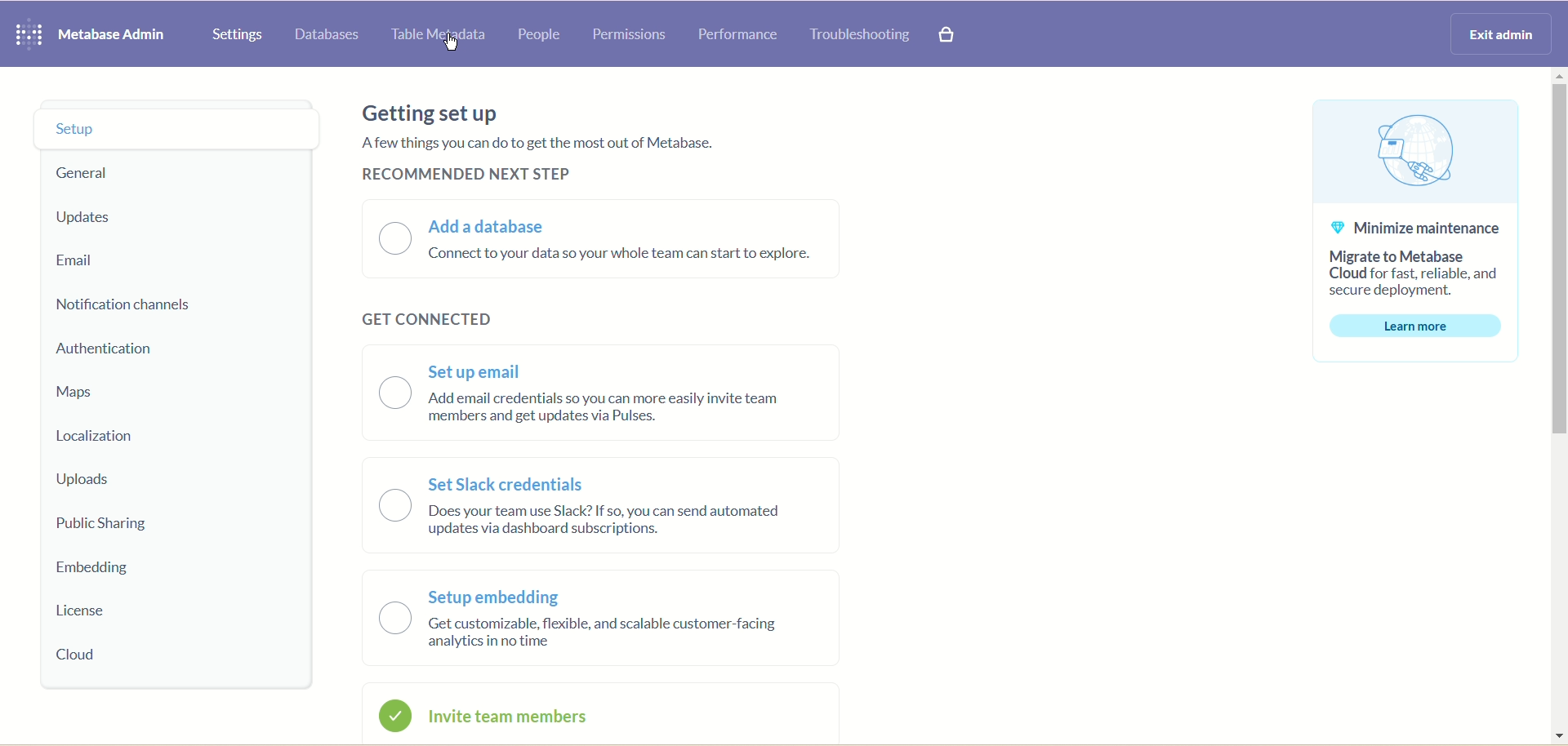 Image resolution: width=1568 pixels, height=746 pixels. Describe the element at coordinates (101, 217) in the screenshot. I see `Updates` at that location.